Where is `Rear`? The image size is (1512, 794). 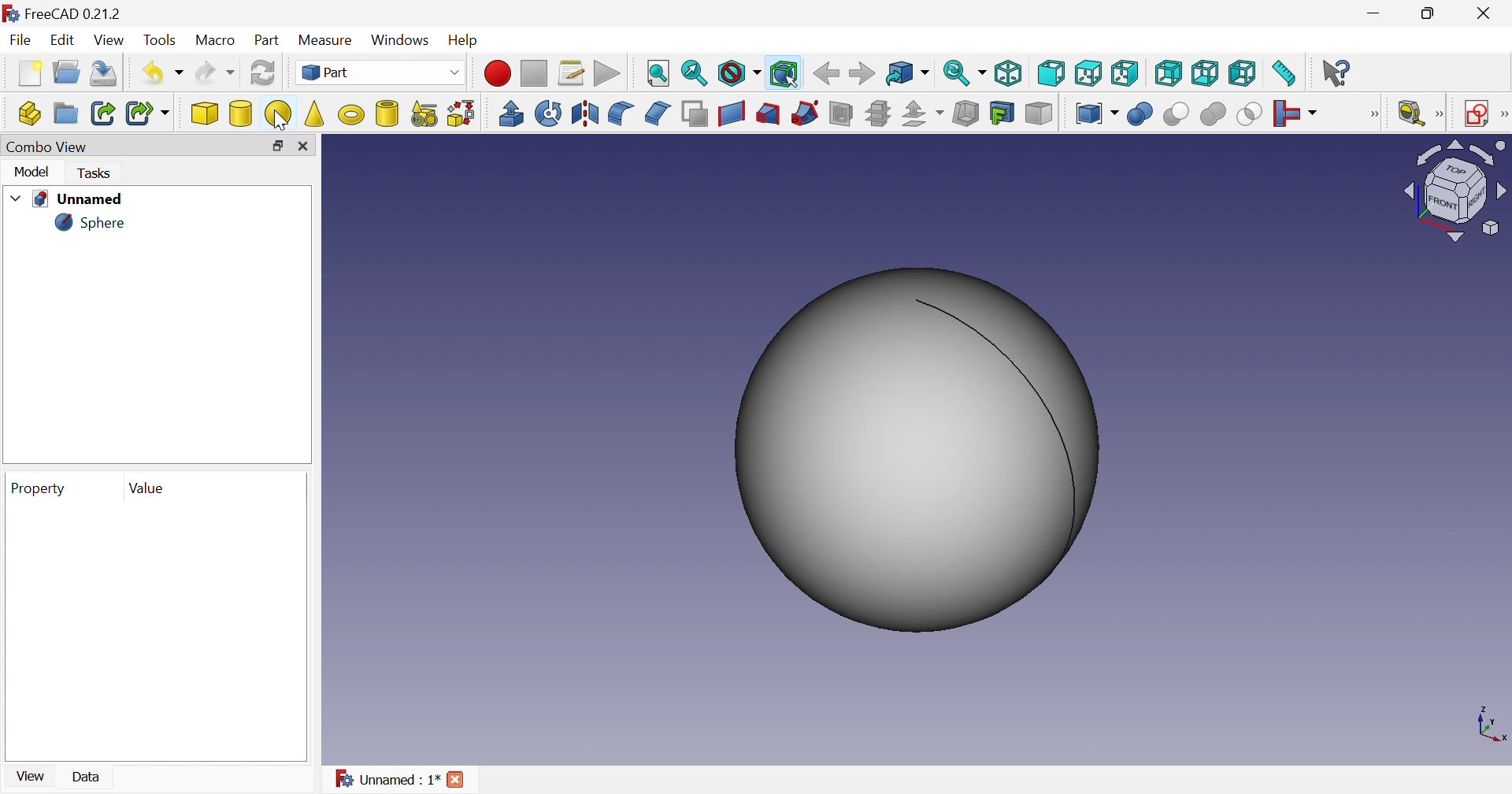 Rear is located at coordinates (1169, 72).